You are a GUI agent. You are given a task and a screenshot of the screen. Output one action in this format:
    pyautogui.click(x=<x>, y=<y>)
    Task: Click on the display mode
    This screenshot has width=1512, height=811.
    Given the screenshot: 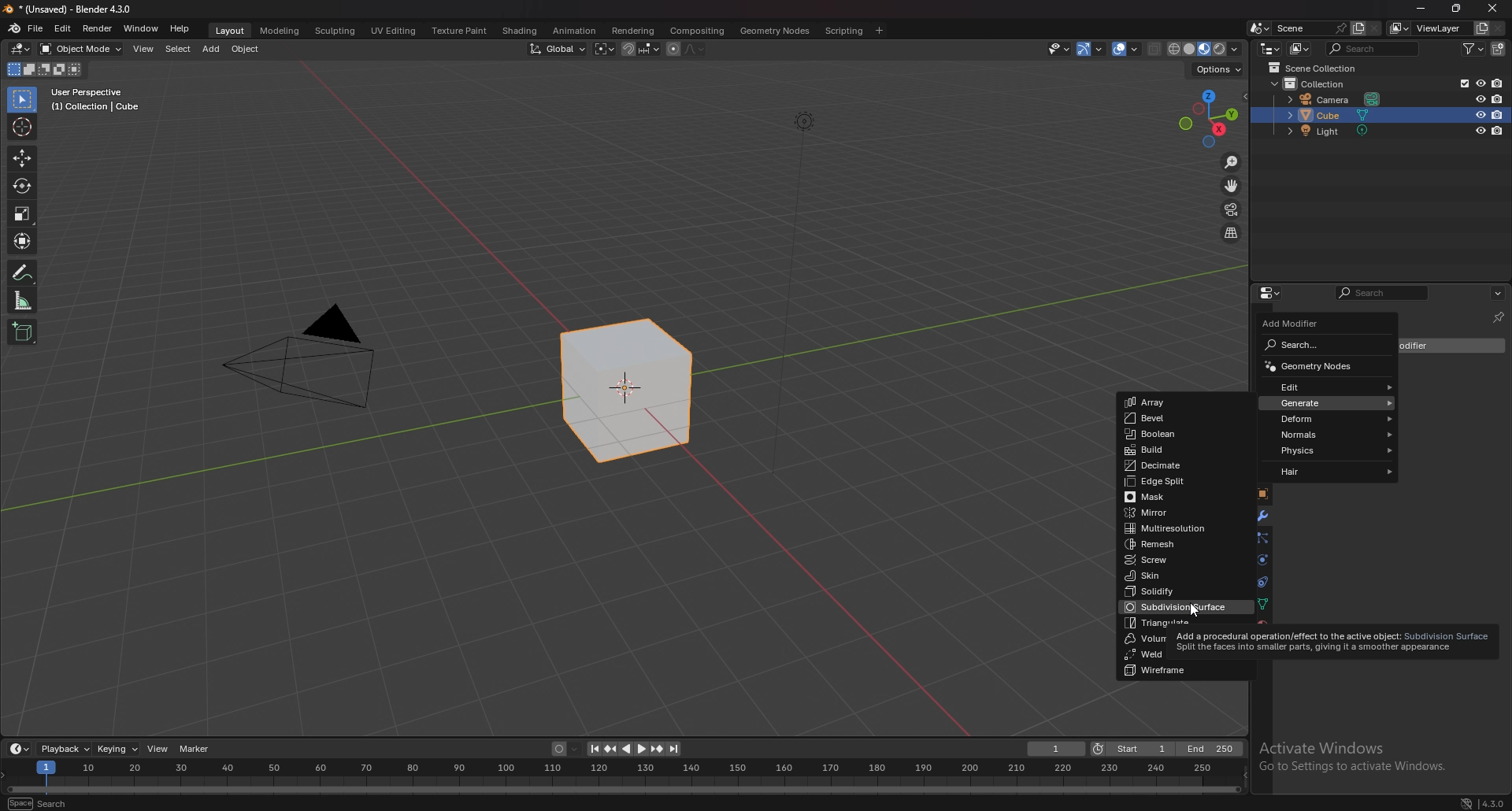 What is the action you would take?
    pyautogui.click(x=1299, y=48)
    